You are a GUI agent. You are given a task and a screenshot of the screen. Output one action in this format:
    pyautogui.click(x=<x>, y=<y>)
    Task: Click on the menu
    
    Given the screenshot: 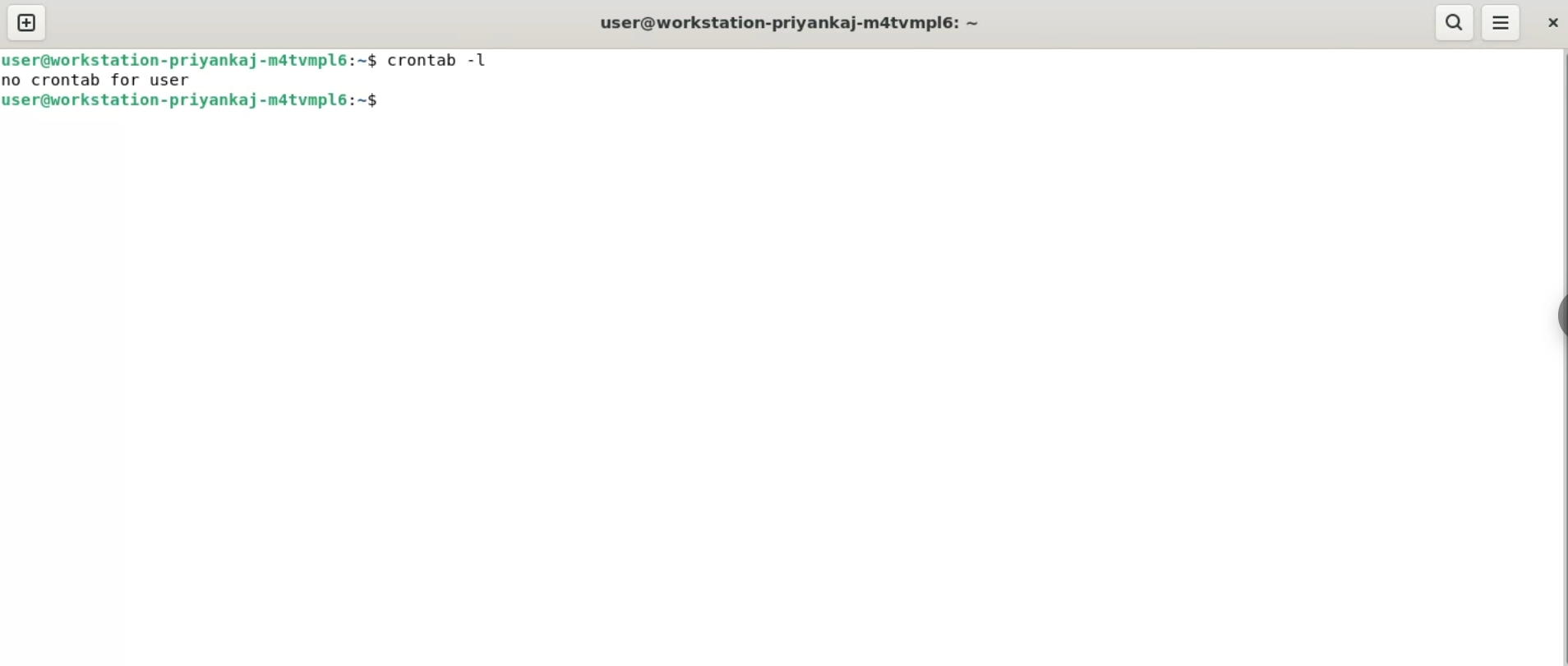 What is the action you would take?
    pyautogui.click(x=1510, y=23)
    